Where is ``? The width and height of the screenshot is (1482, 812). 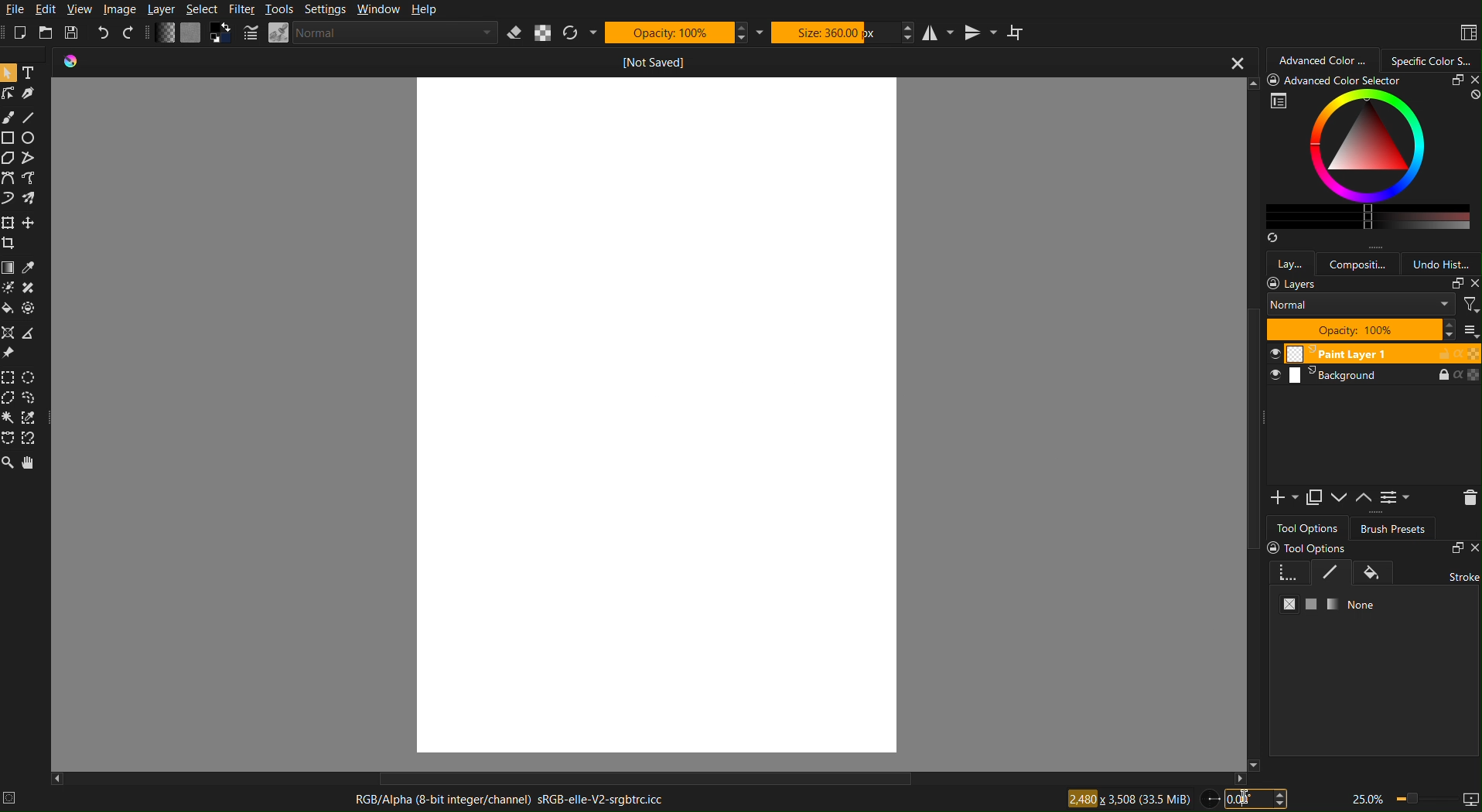  is located at coordinates (28, 308).